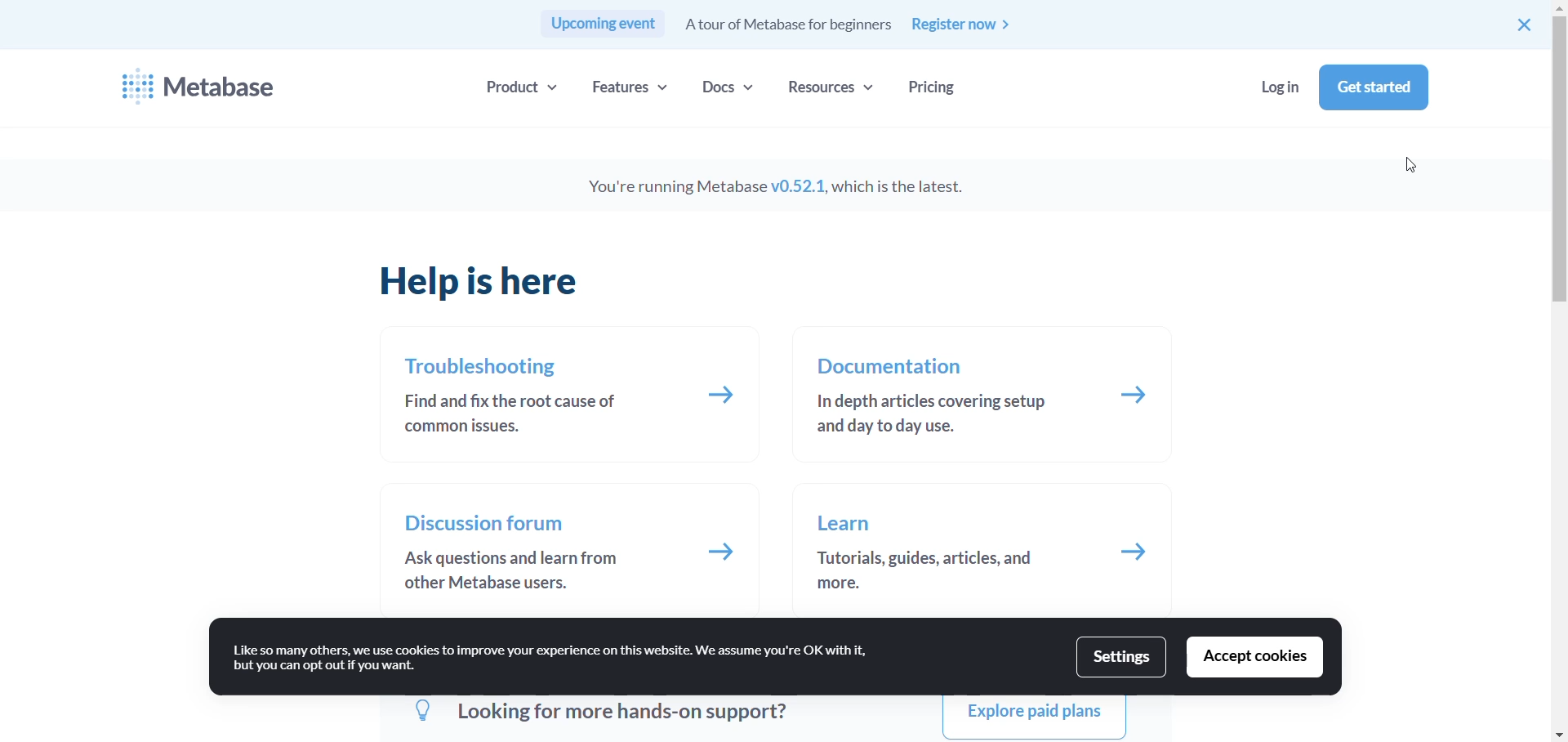 This screenshot has height=742, width=1568. I want to click on register now, so click(973, 26).